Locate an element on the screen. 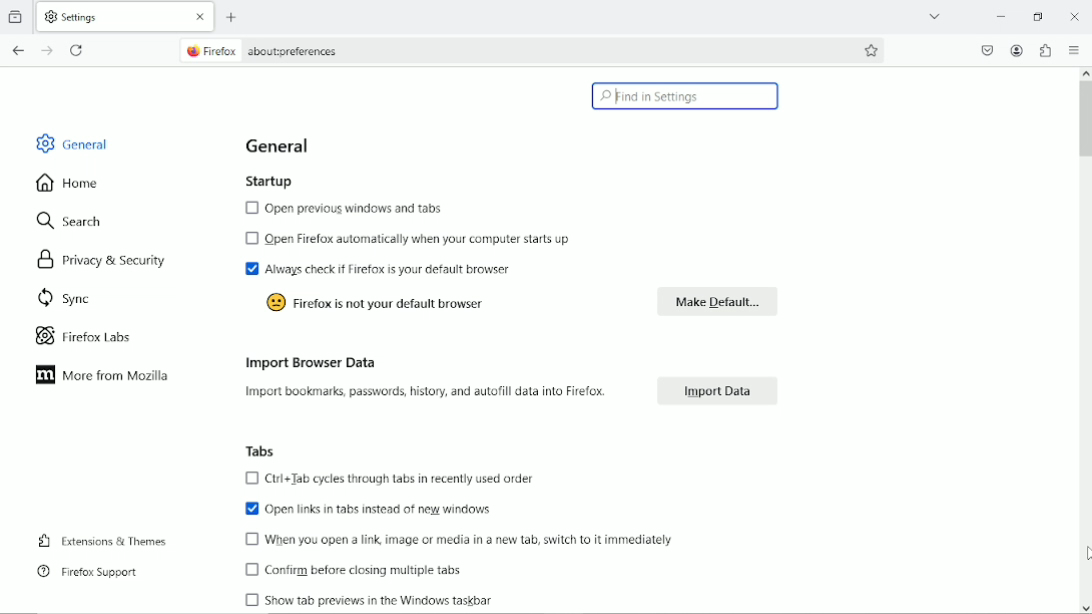 The width and height of the screenshot is (1092, 614). Ctrl+Tab cycles through tabs in recently used order is located at coordinates (405, 480).